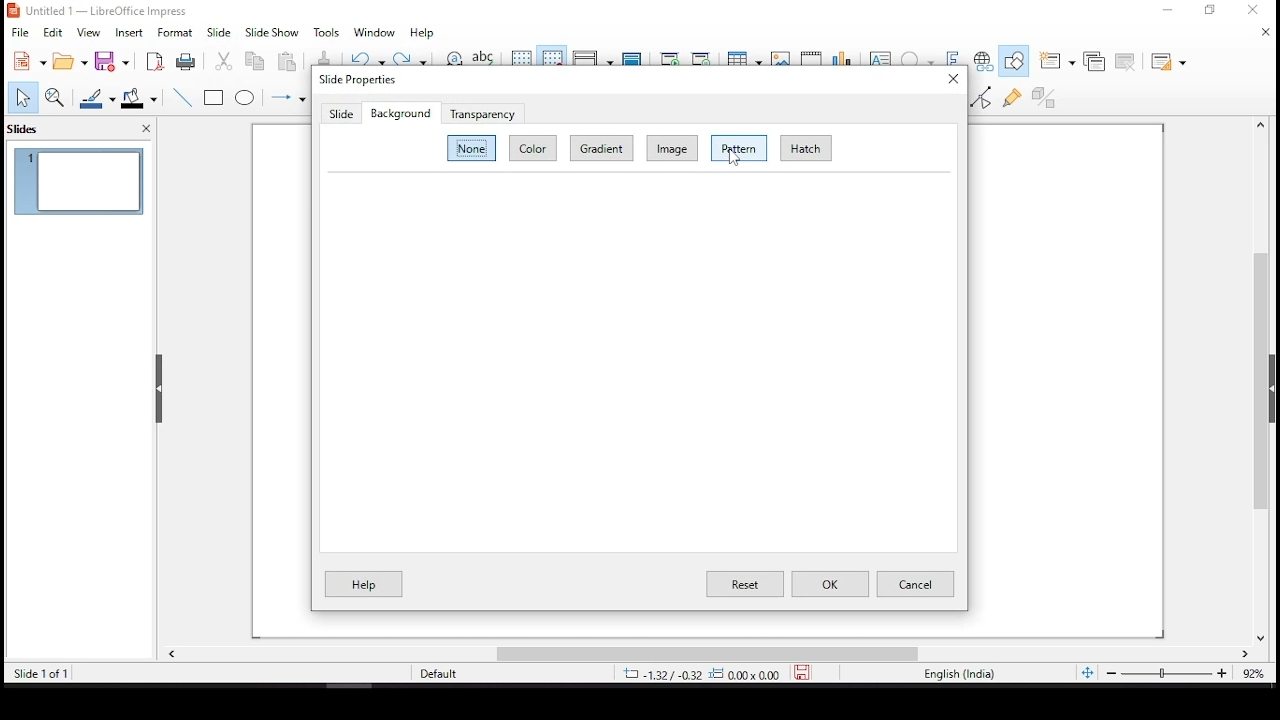 The image size is (1280, 720). I want to click on ok, so click(829, 584).